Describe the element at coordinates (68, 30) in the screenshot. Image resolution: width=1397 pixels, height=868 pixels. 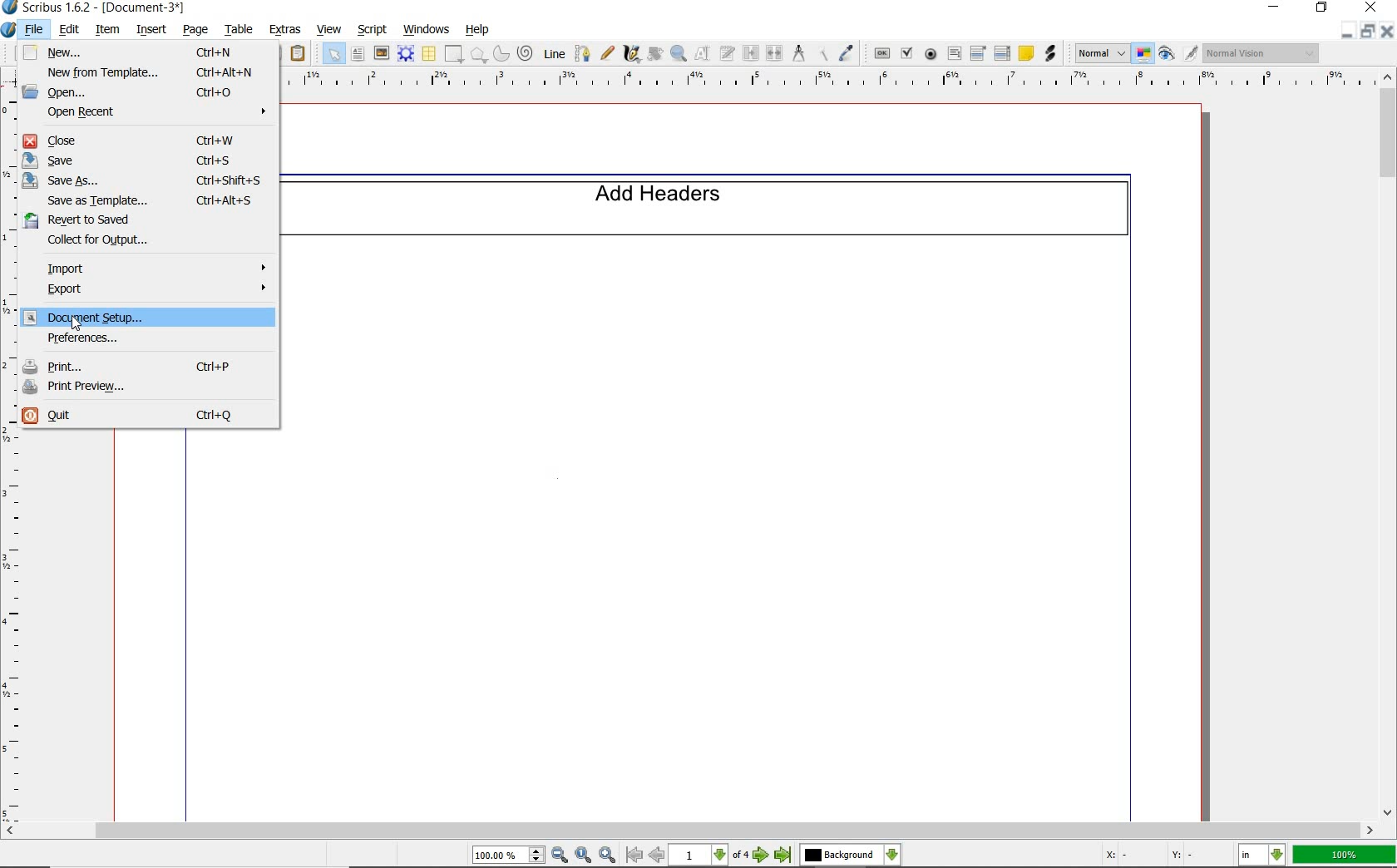
I see `edit` at that location.